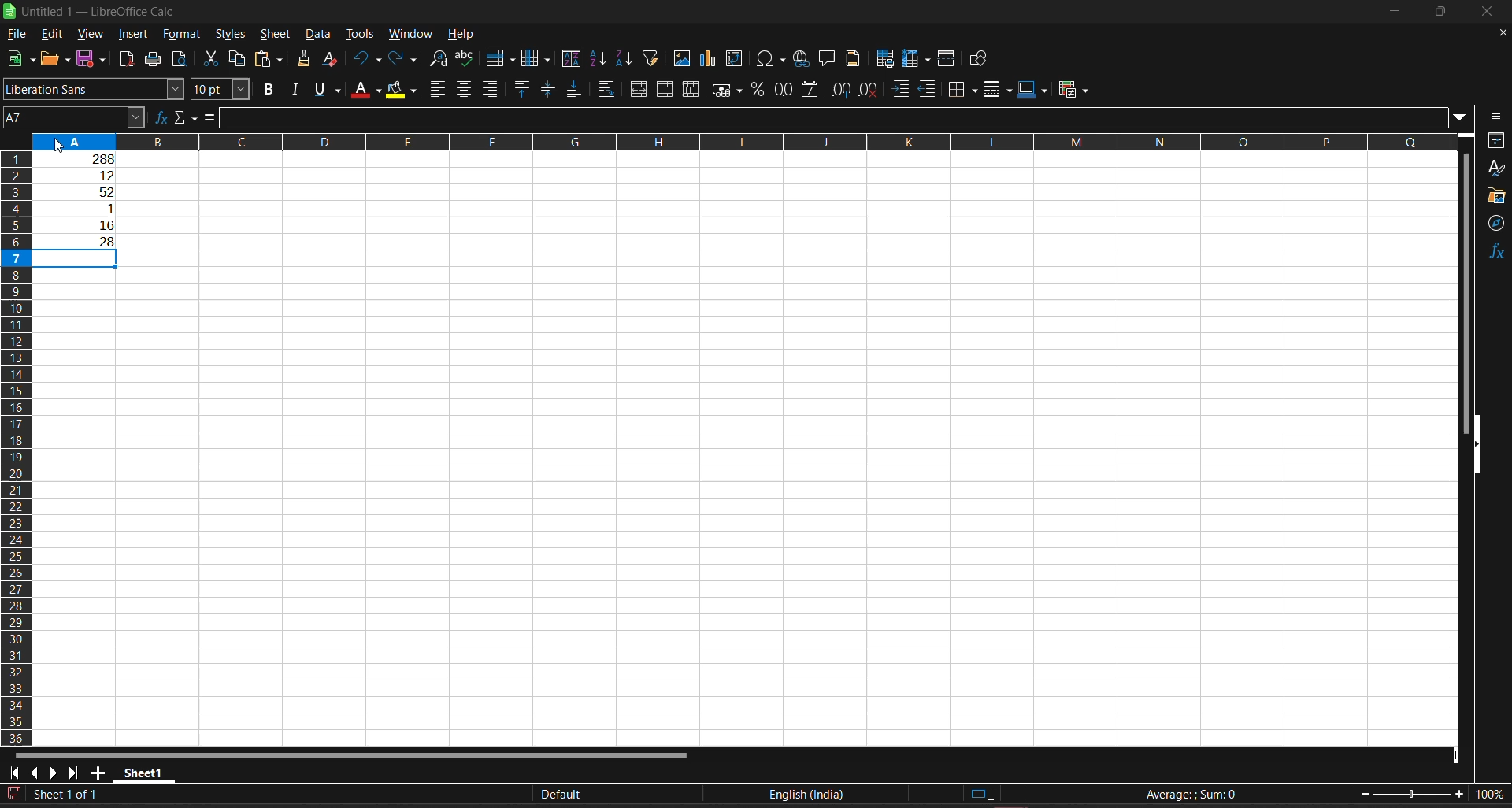  I want to click on split window, so click(947, 59).